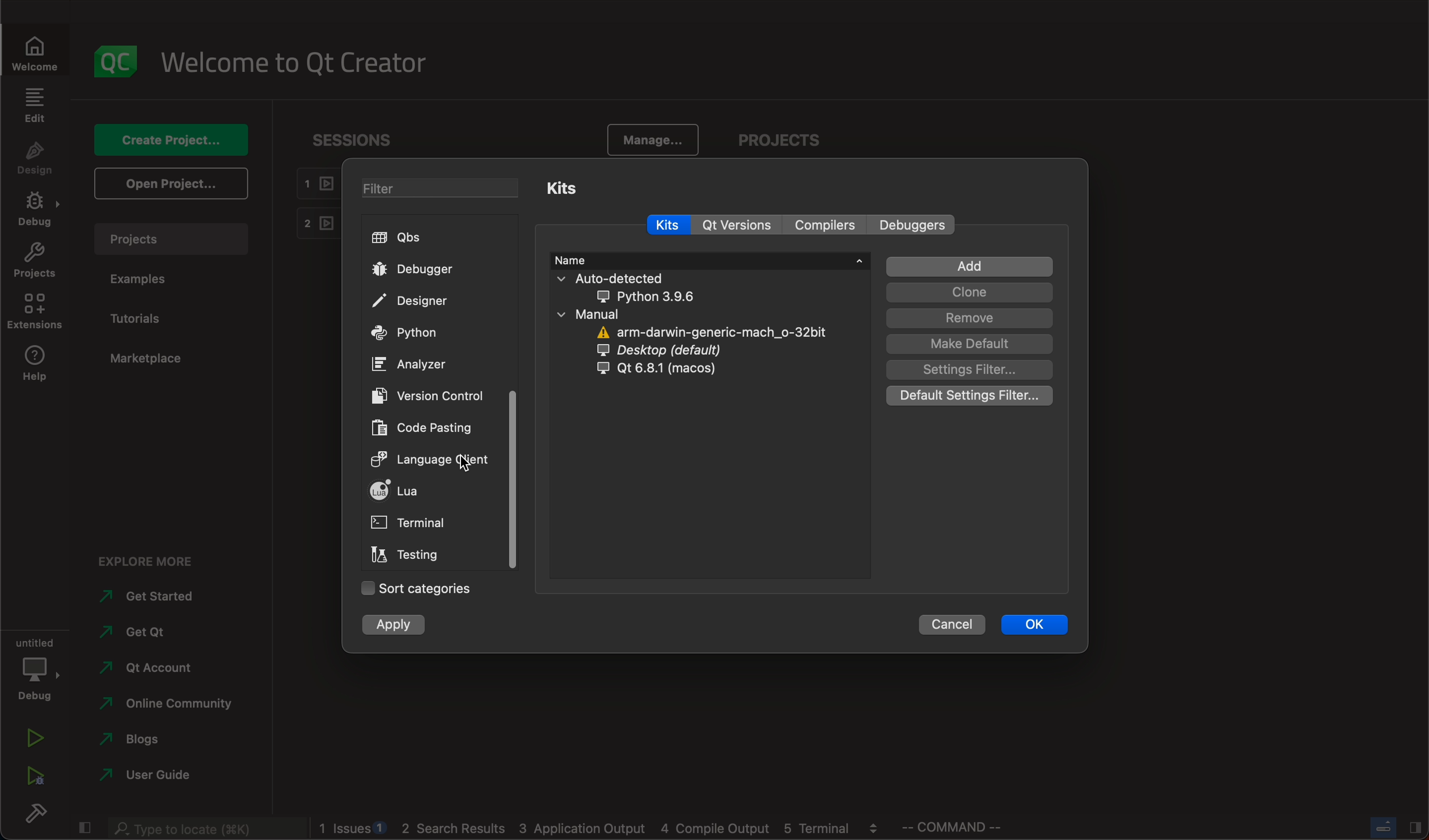 The width and height of the screenshot is (1429, 840). I want to click on projects, so click(35, 261).